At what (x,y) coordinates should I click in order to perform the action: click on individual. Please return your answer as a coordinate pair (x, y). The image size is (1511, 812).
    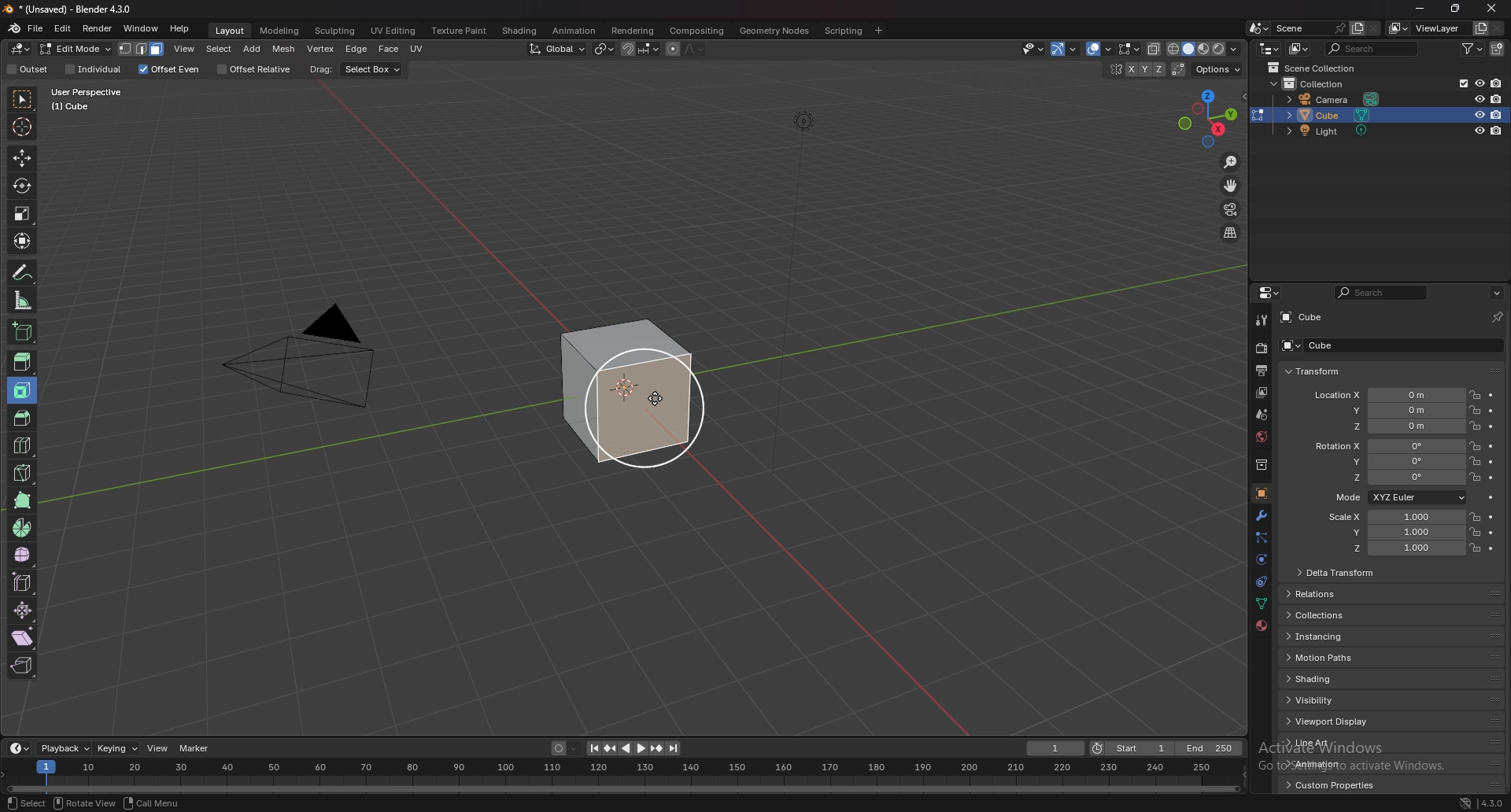
    Looking at the image, I should click on (94, 69).